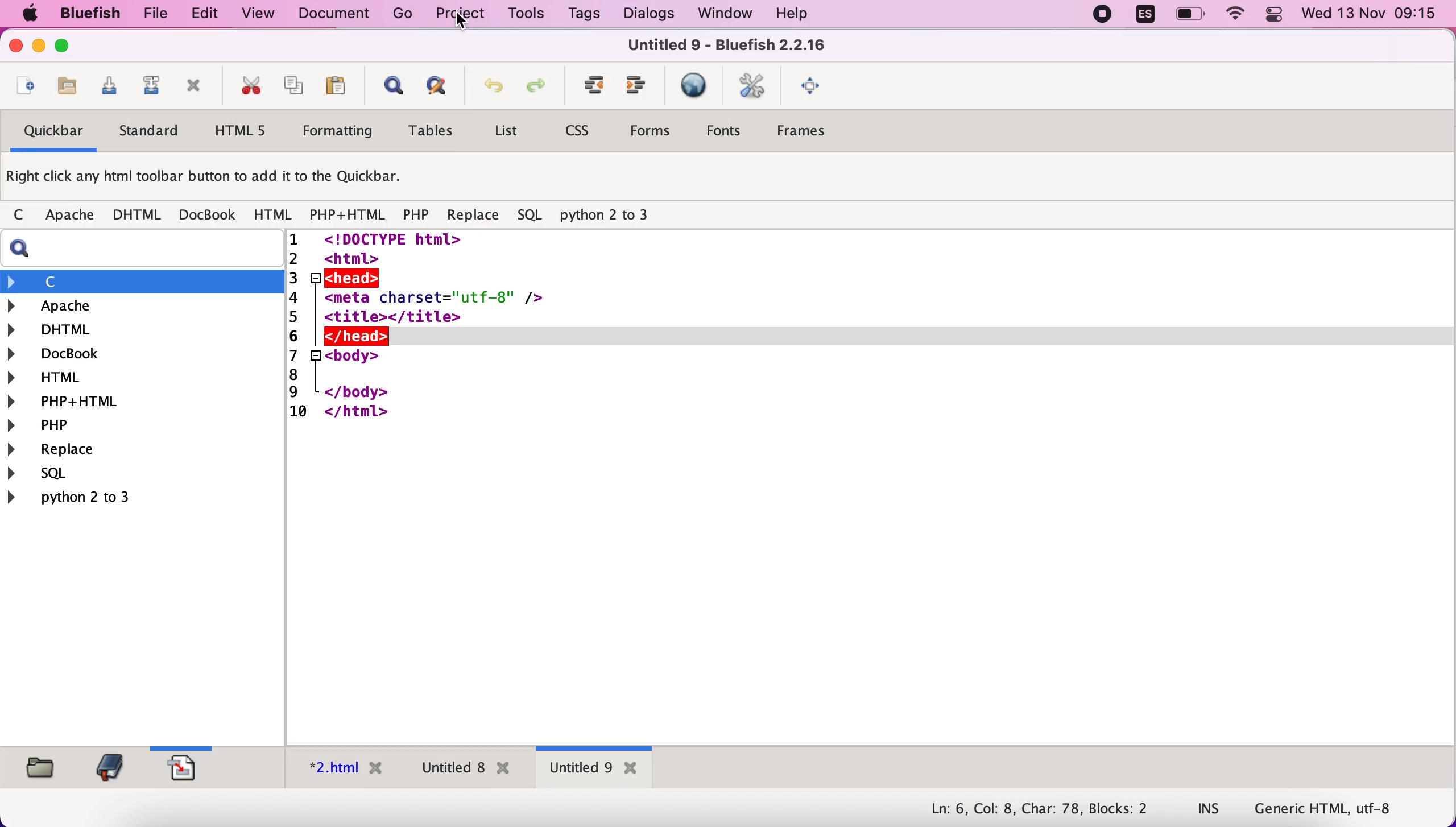 The image size is (1456, 827). What do you see at coordinates (1341, 808) in the screenshot?
I see `generic html` at bounding box center [1341, 808].